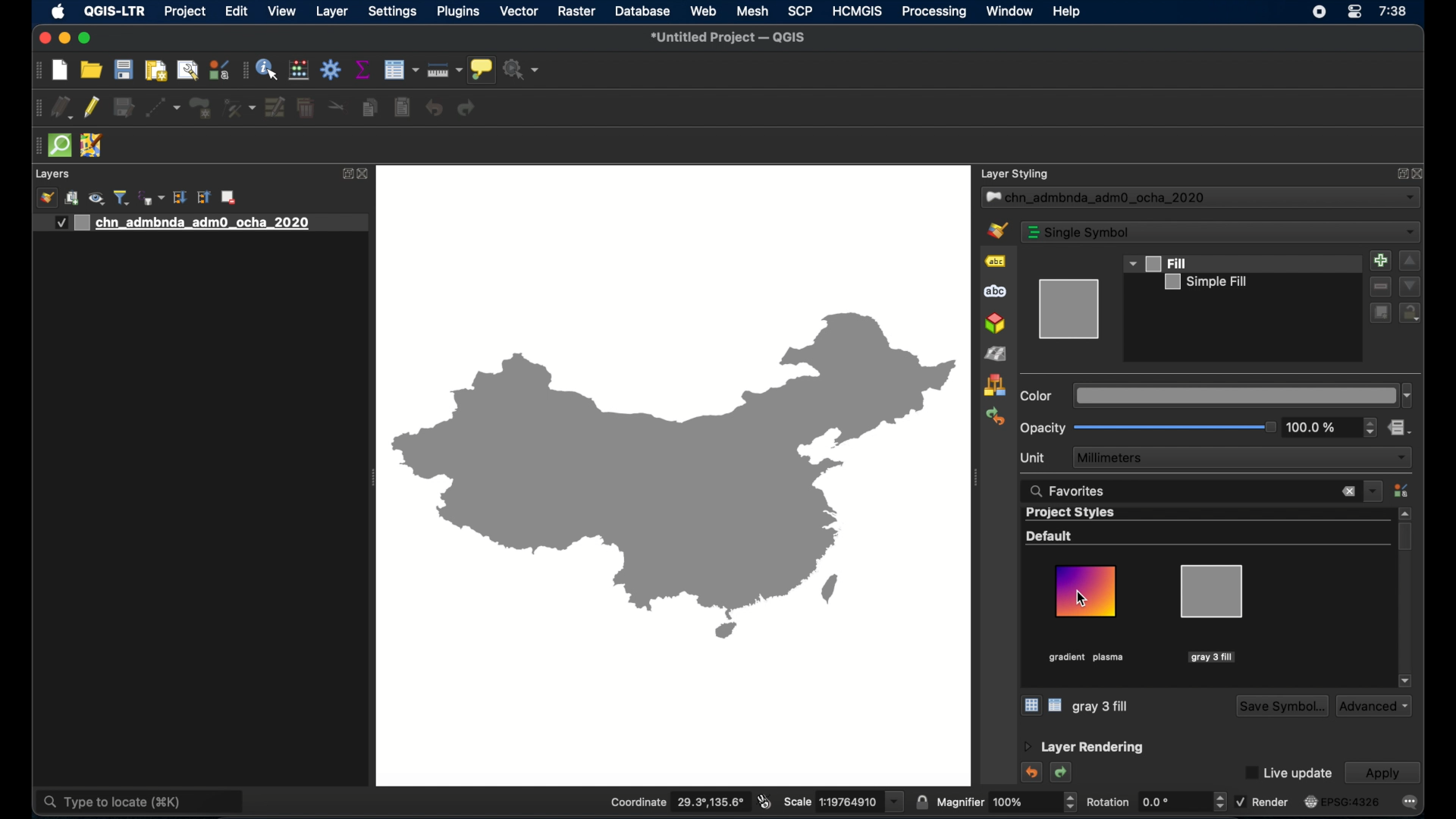 This screenshot has width=1456, height=819. What do you see at coordinates (152, 198) in the screenshot?
I see `filter legend by expression` at bounding box center [152, 198].